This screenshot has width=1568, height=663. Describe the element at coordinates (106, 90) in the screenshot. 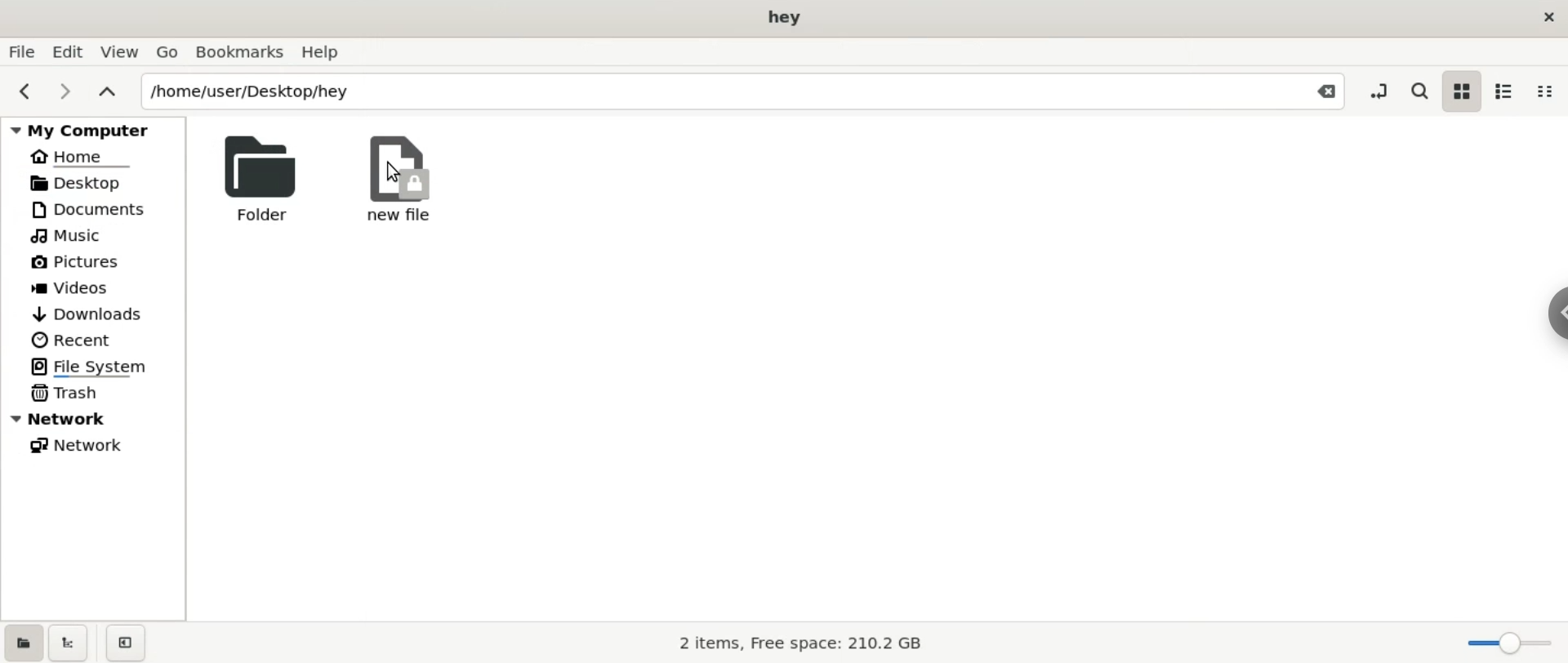

I see `parent folders` at that location.